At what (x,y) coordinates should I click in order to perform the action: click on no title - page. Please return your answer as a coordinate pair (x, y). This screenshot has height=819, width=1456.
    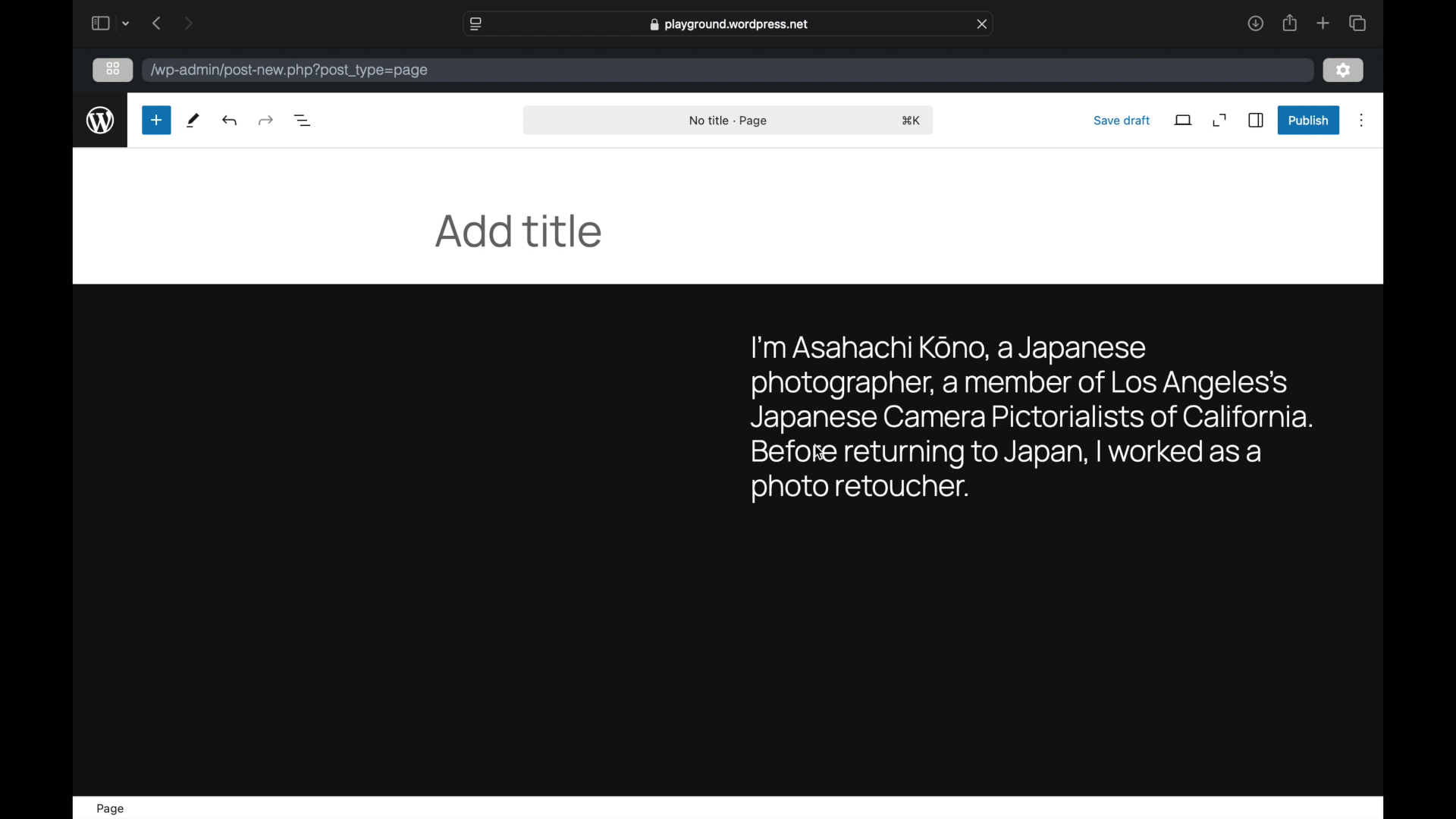
    Looking at the image, I should click on (730, 121).